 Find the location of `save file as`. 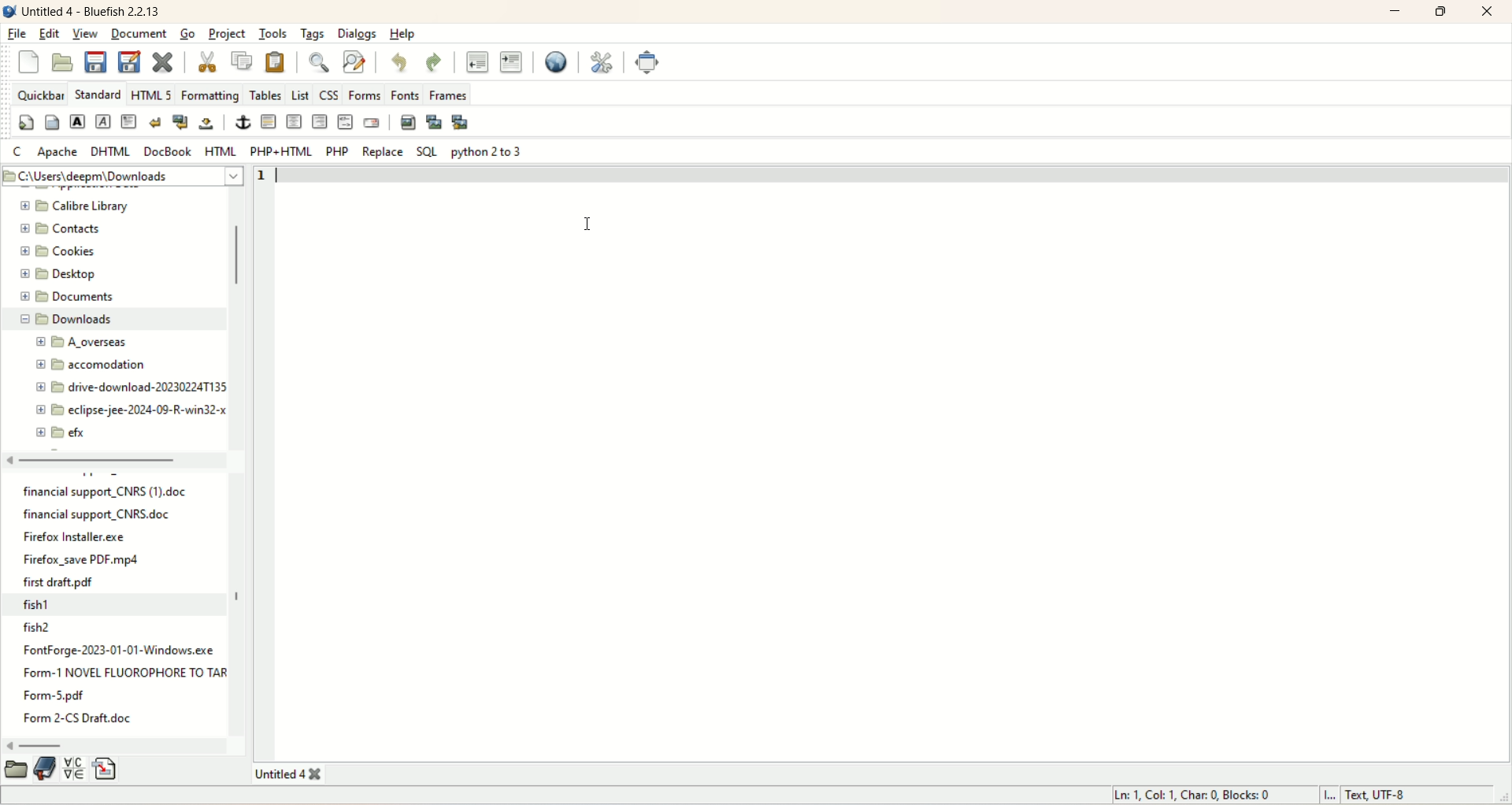

save file as is located at coordinates (128, 65).